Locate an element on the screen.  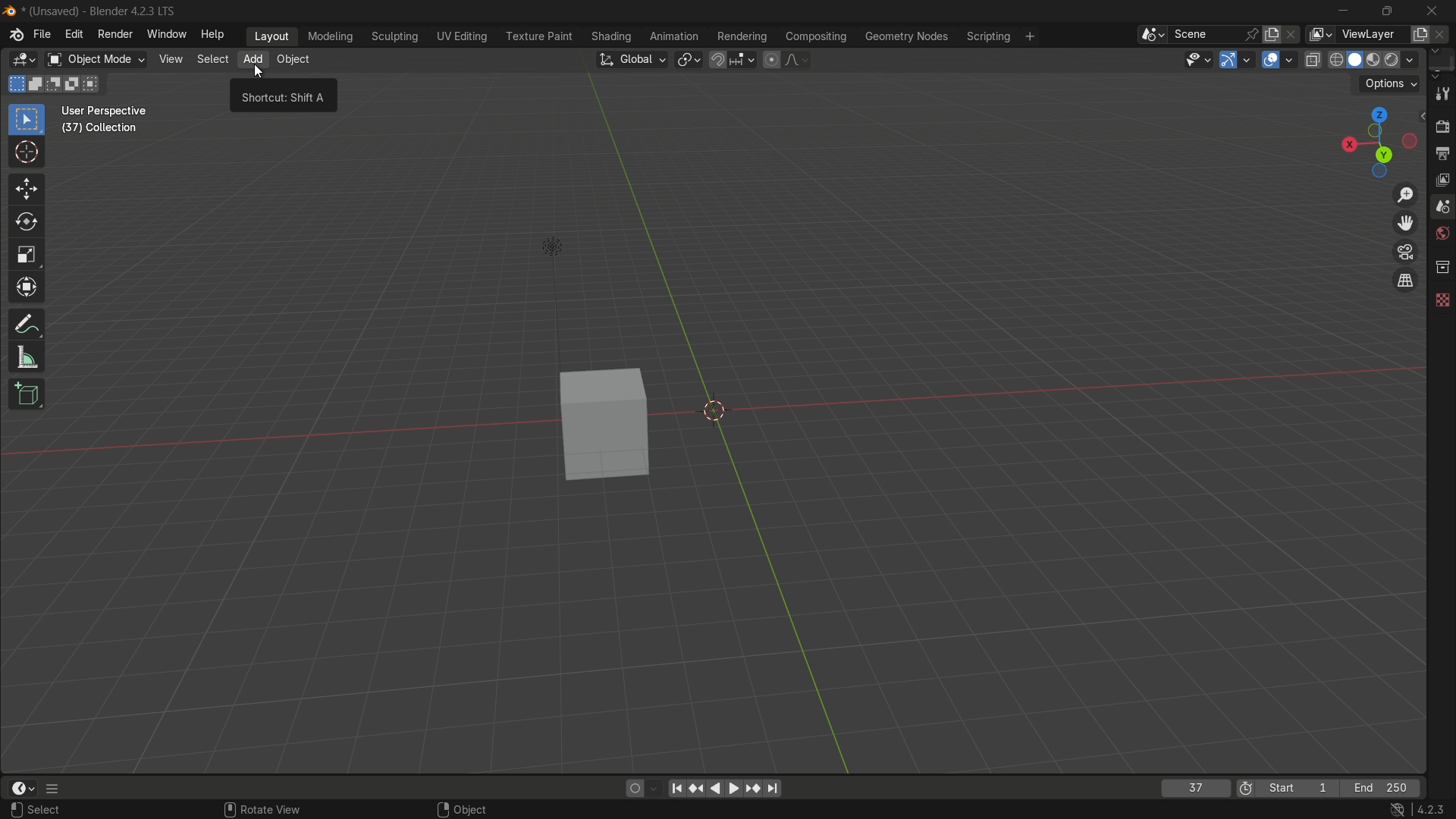
cube is located at coordinates (598, 427).